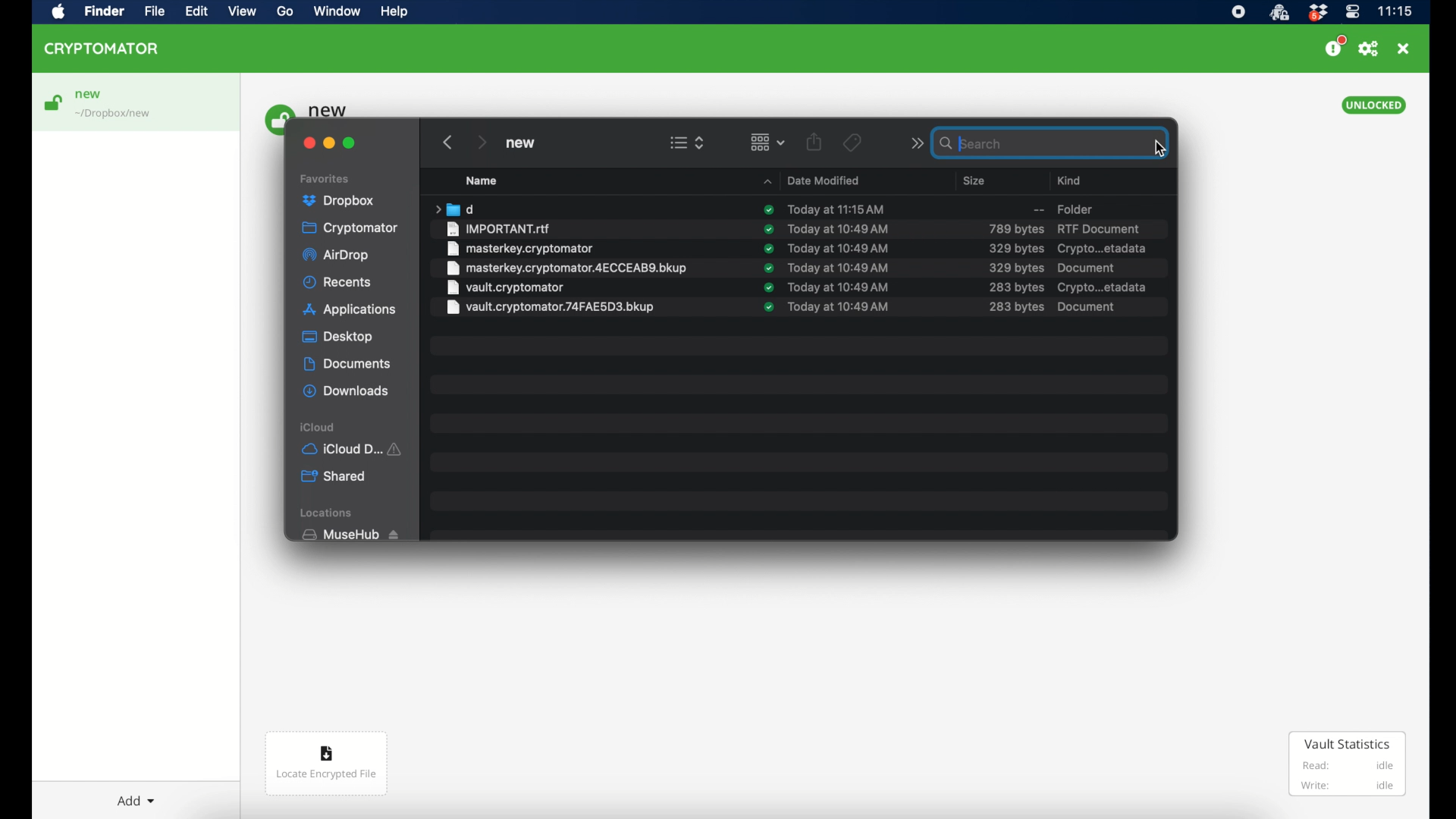 This screenshot has width=1456, height=819. What do you see at coordinates (767, 182) in the screenshot?
I see `name dropdown` at bounding box center [767, 182].